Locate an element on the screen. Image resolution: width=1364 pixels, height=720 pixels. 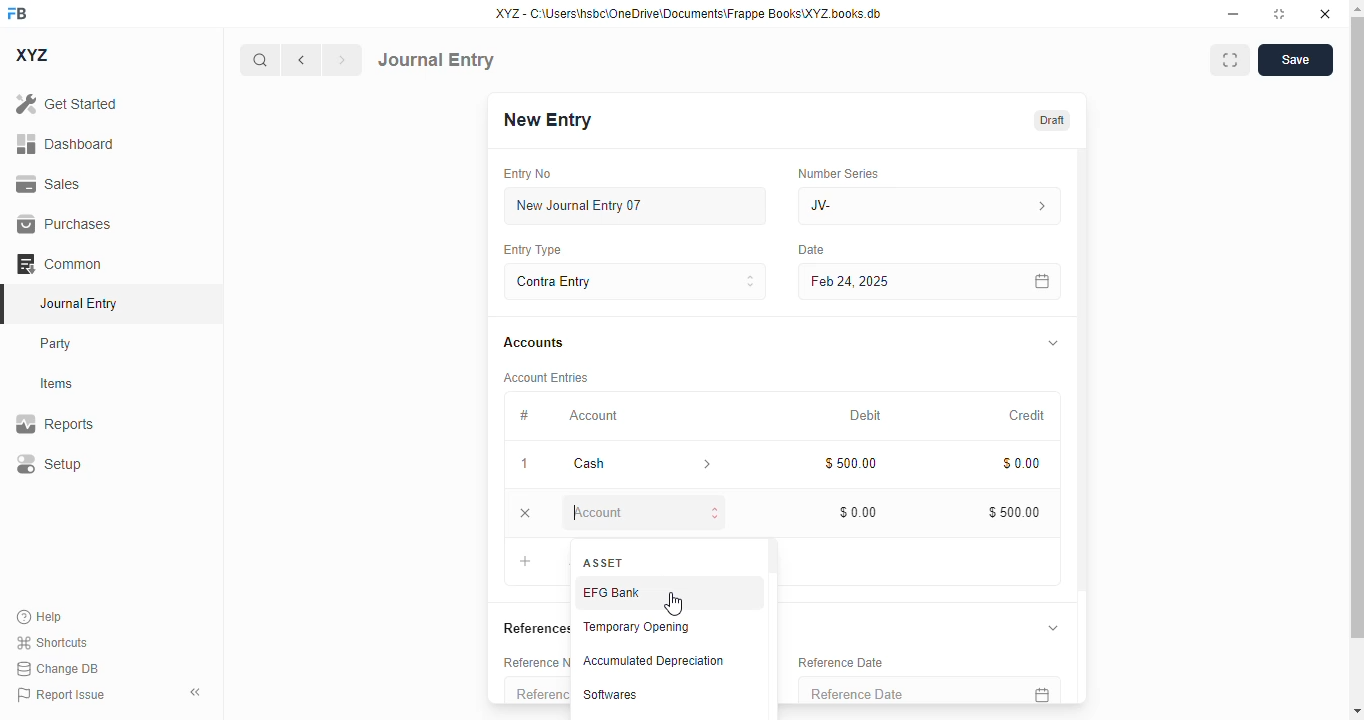
FB - logo is located at coordinates (17, 13).